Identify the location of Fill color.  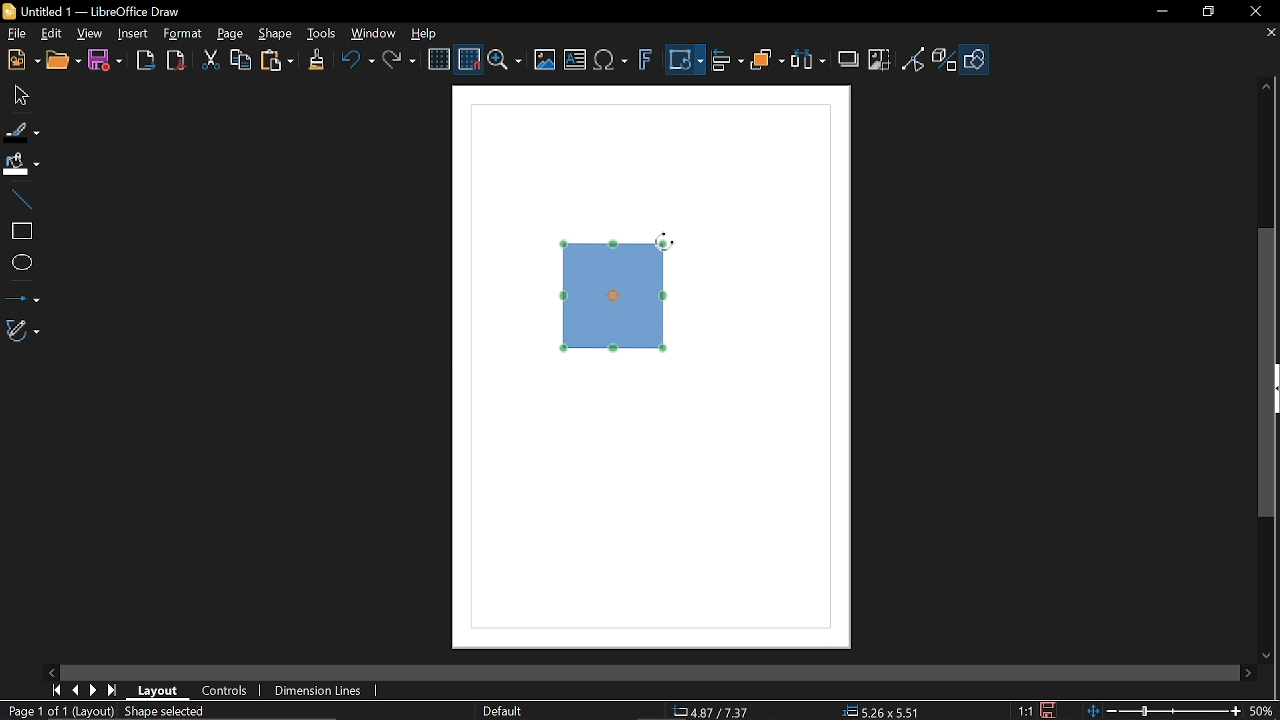
(22, 164).